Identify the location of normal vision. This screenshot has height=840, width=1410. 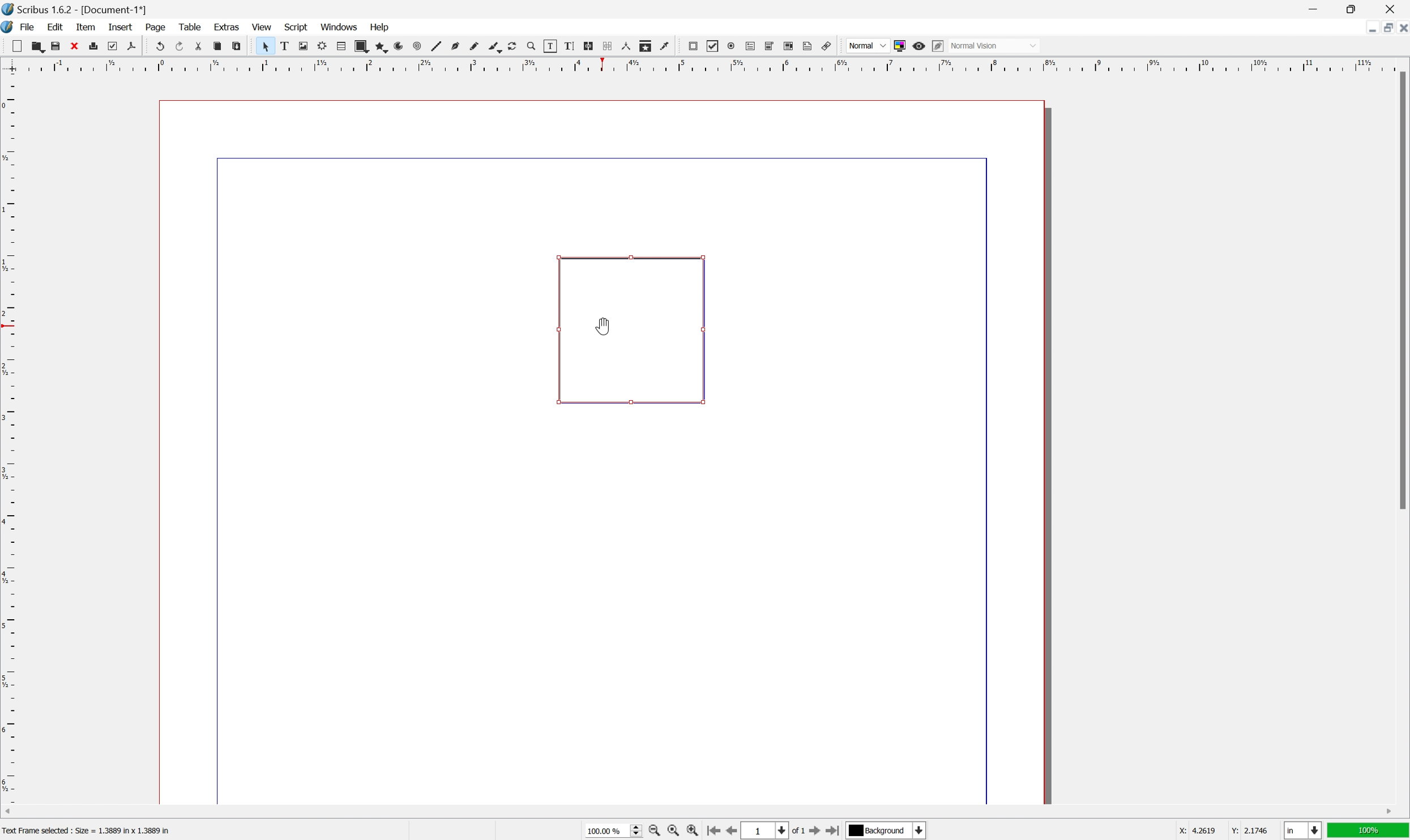
(993, 45).